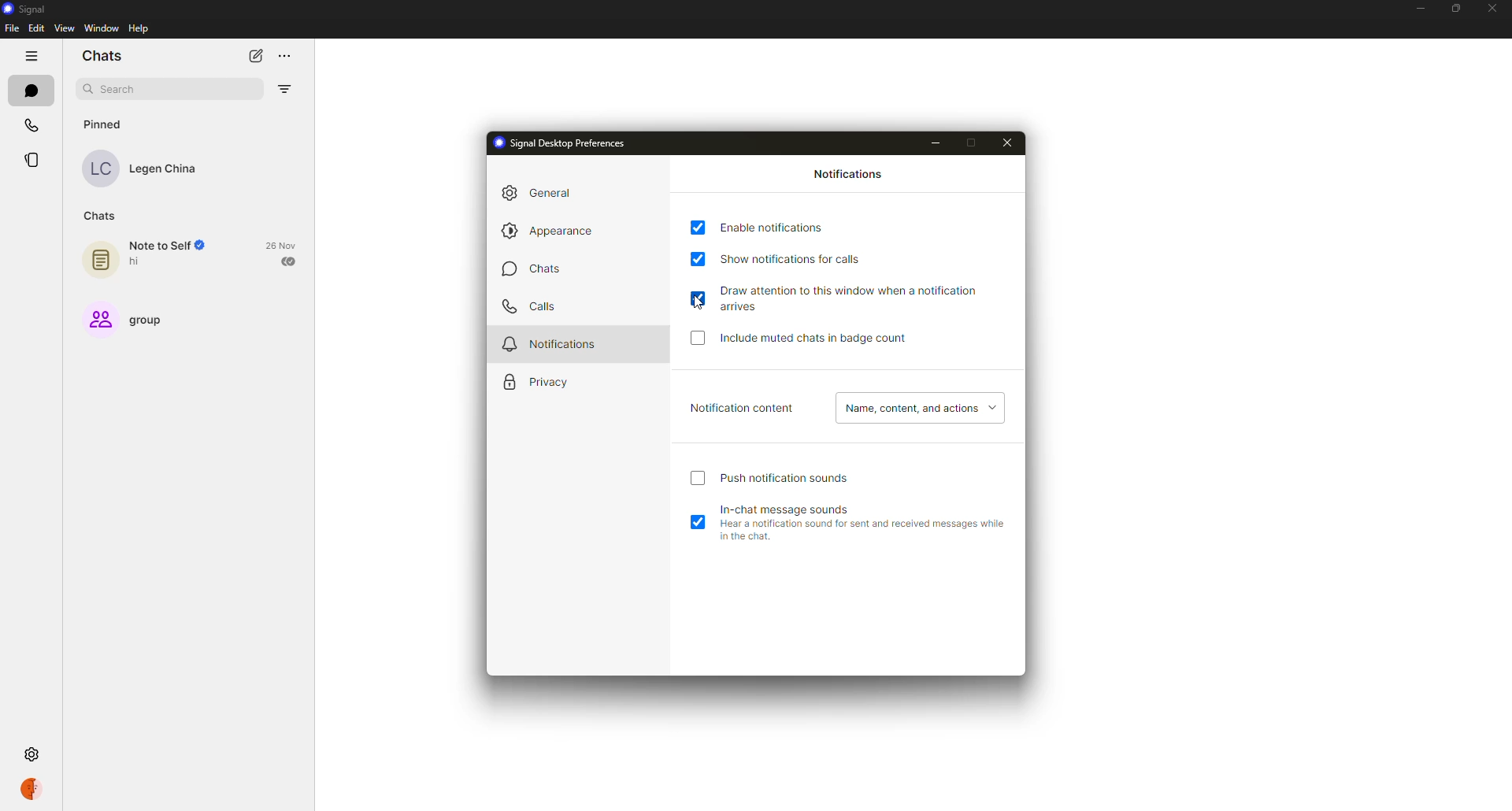 This screenshot has height=811, width=1512. Describe the element at coordinates (1007, 142) in the screenshot. I see `close` at that location.